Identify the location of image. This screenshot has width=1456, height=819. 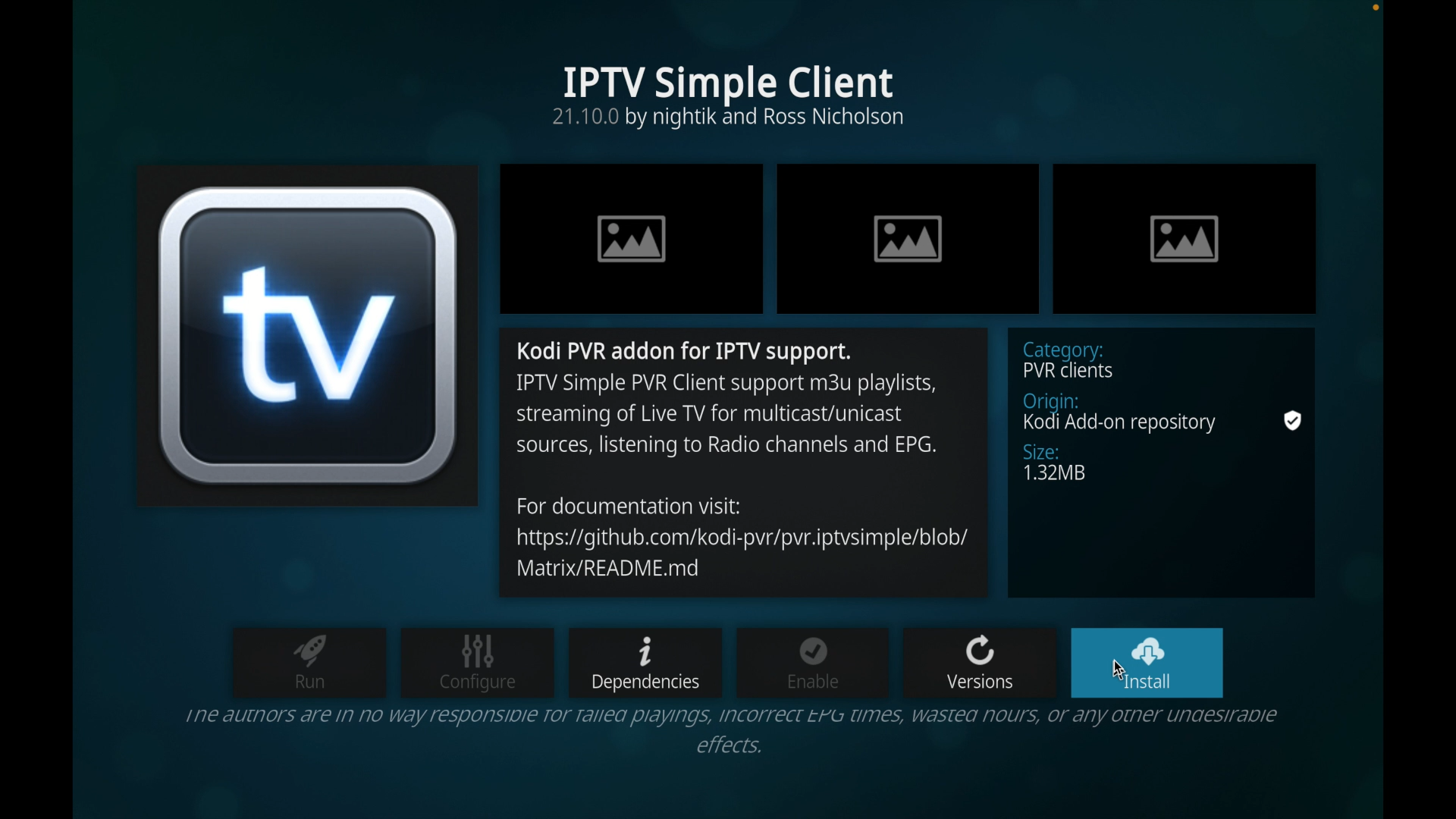
(632, 238).